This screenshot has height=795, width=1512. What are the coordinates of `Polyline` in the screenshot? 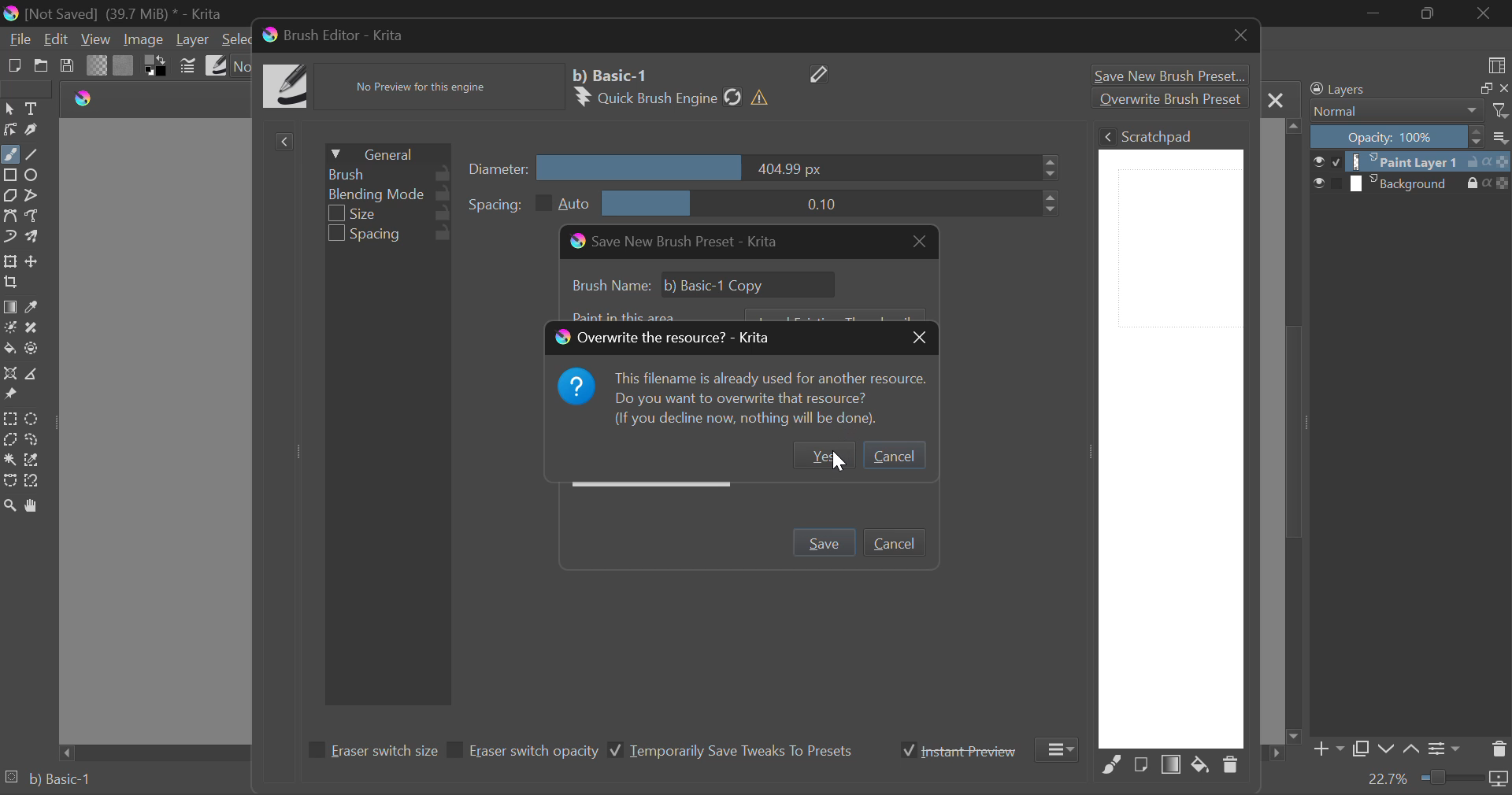 It's located at (35, 195).